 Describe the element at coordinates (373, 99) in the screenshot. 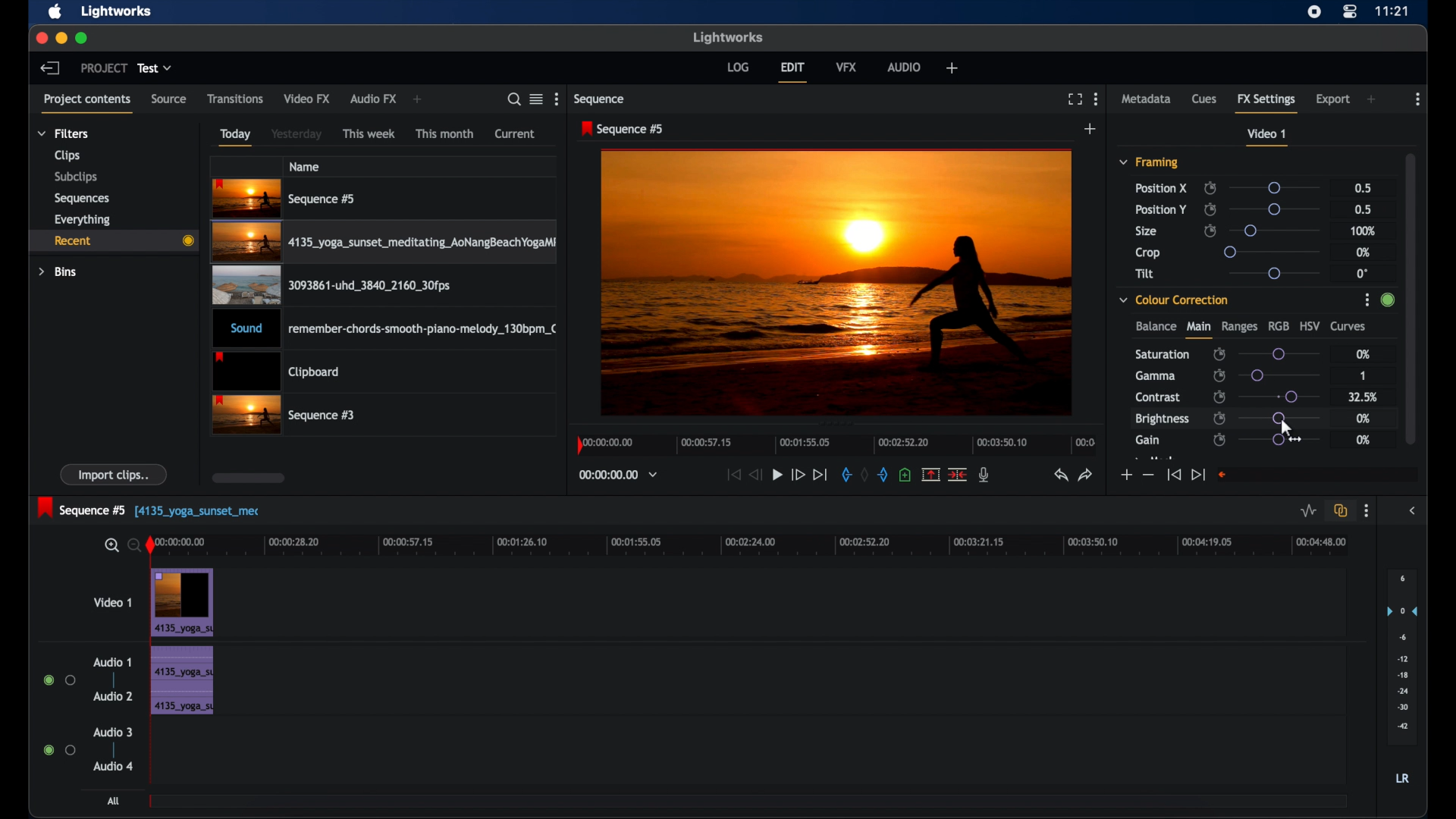

I see `audio fx` at that location.